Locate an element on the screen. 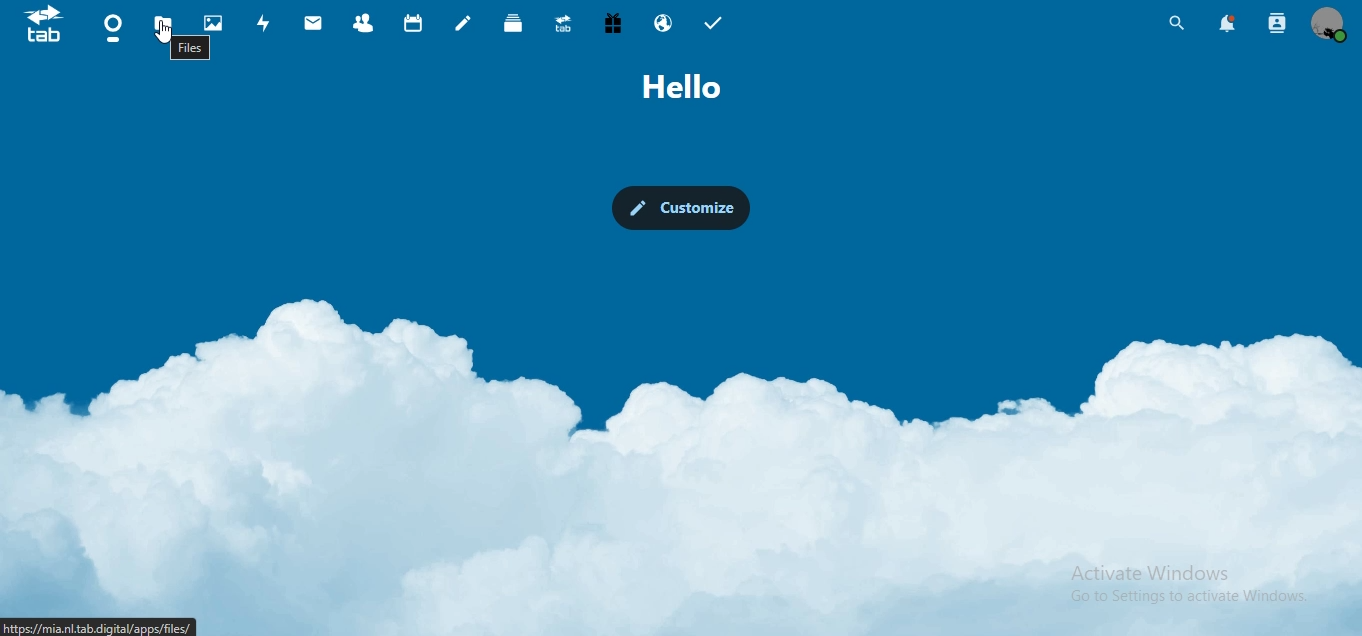 The width and height of the screenshot is (1362, 636). upgrade is located at coordinates (567, 26).